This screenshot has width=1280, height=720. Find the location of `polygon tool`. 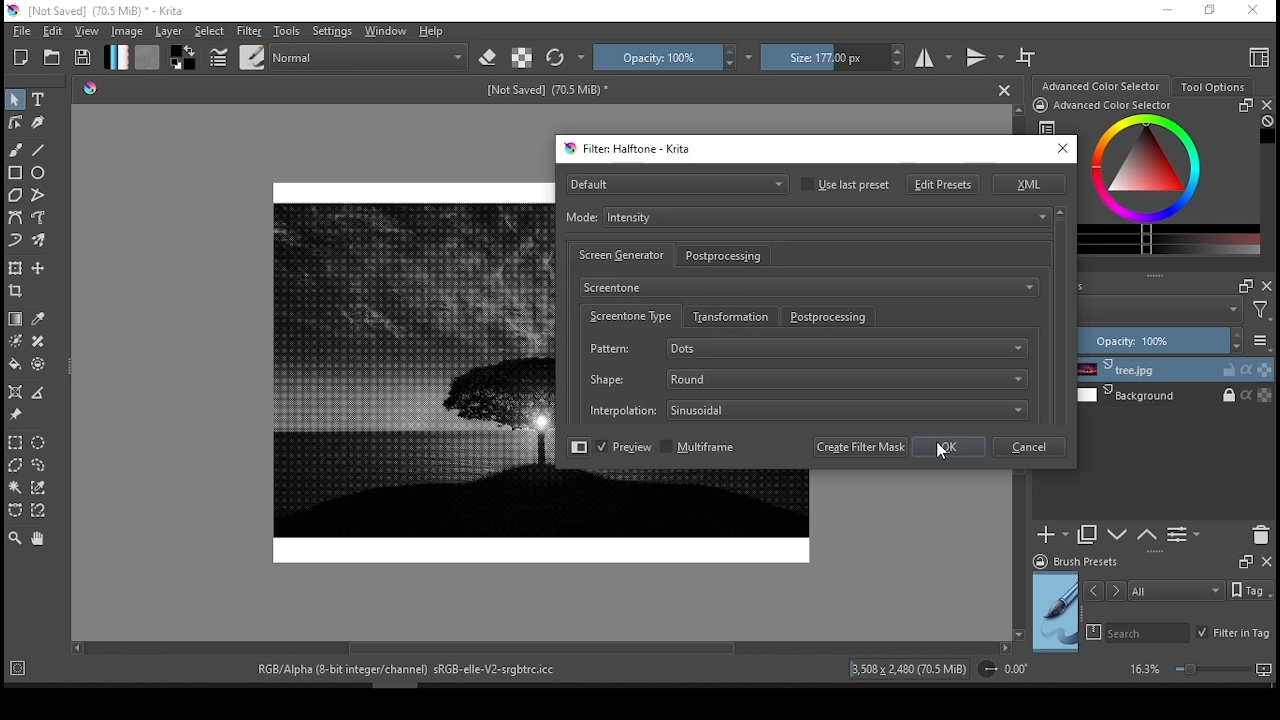

polygon tool is located at coordinates (16, 195).